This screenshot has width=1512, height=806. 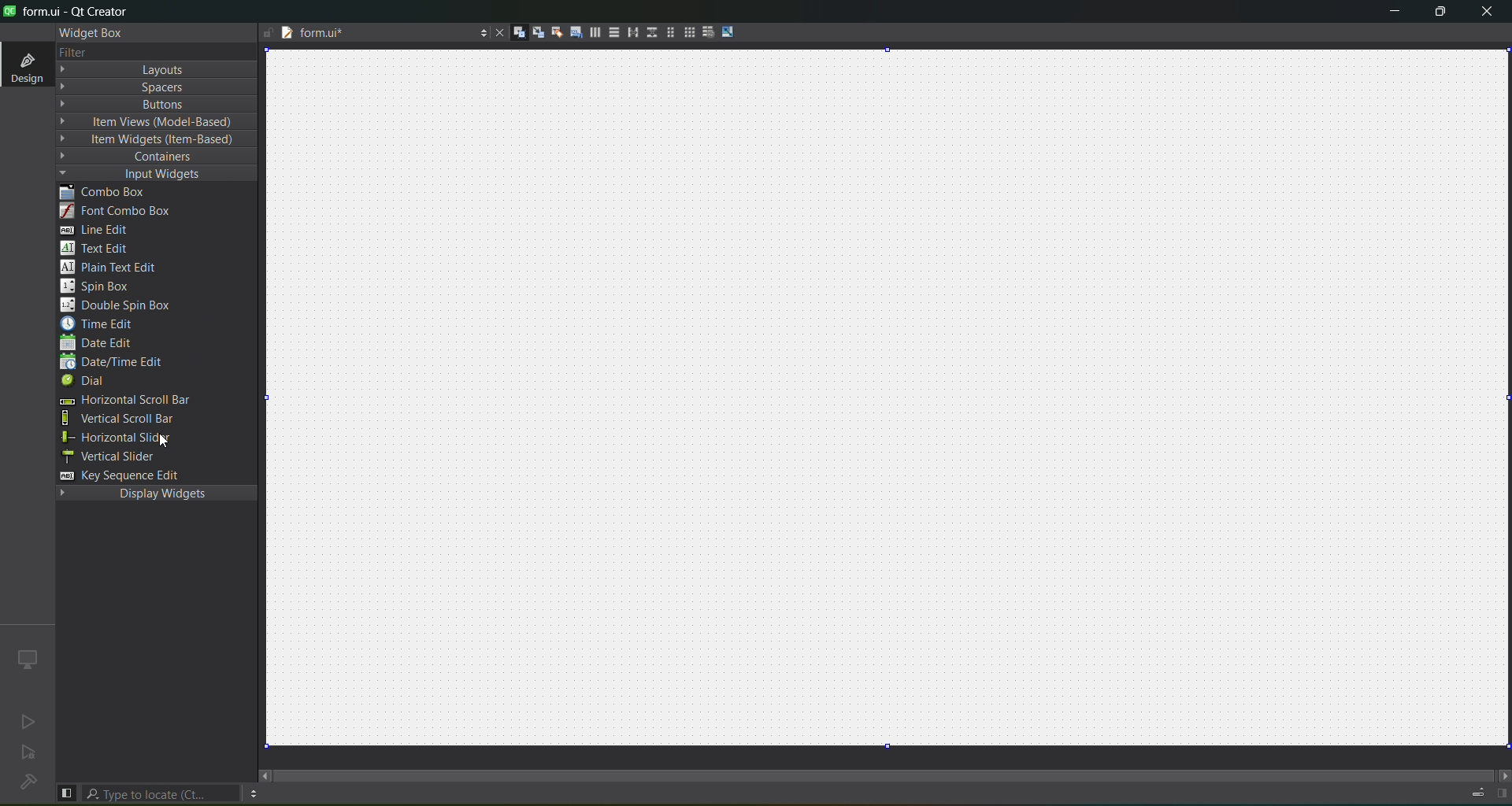 I want to click on tab order, so click(x=571, y=32).